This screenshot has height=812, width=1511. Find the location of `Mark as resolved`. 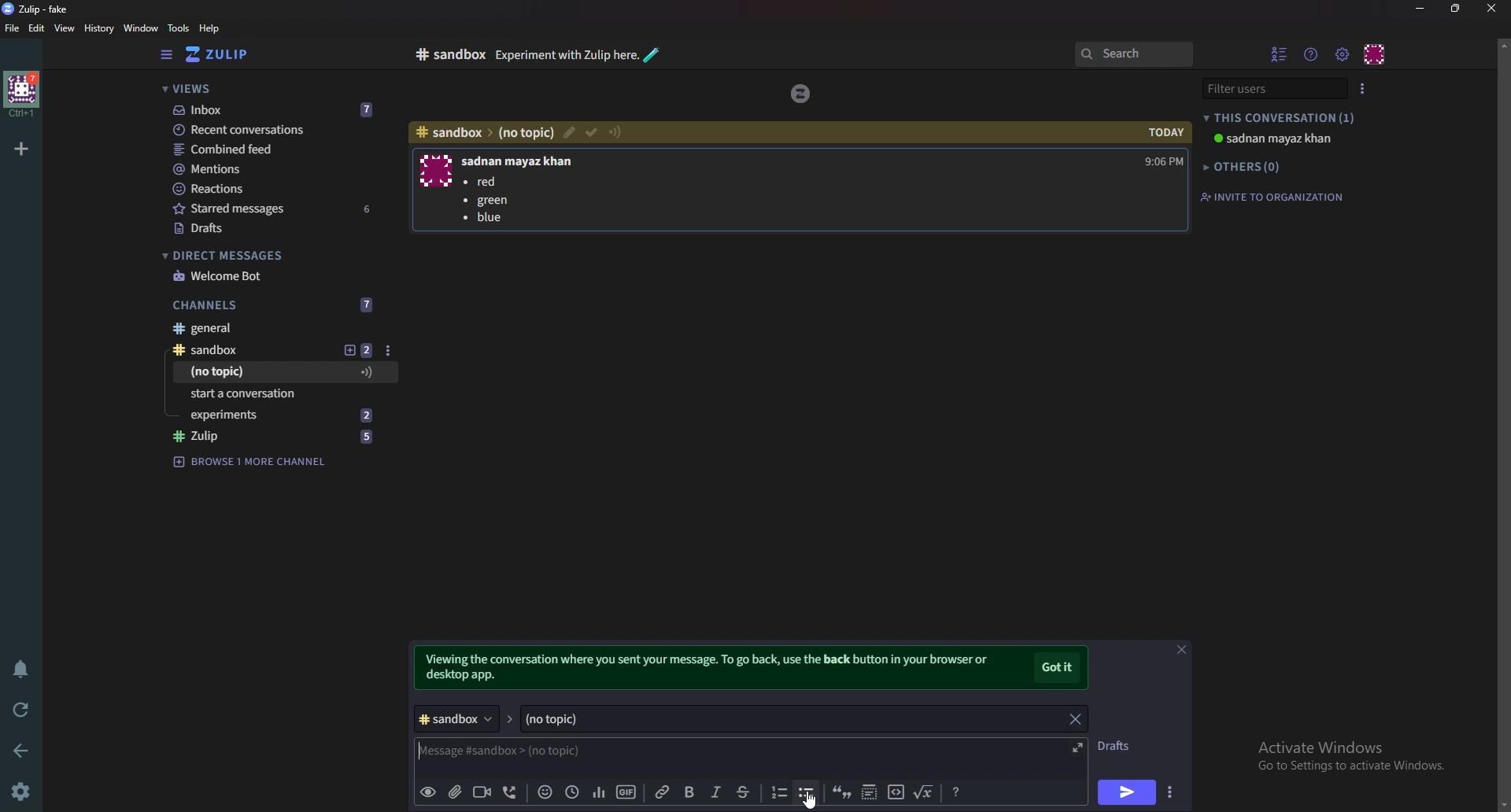

Mark as resolved is located at coordinates (590, 133).